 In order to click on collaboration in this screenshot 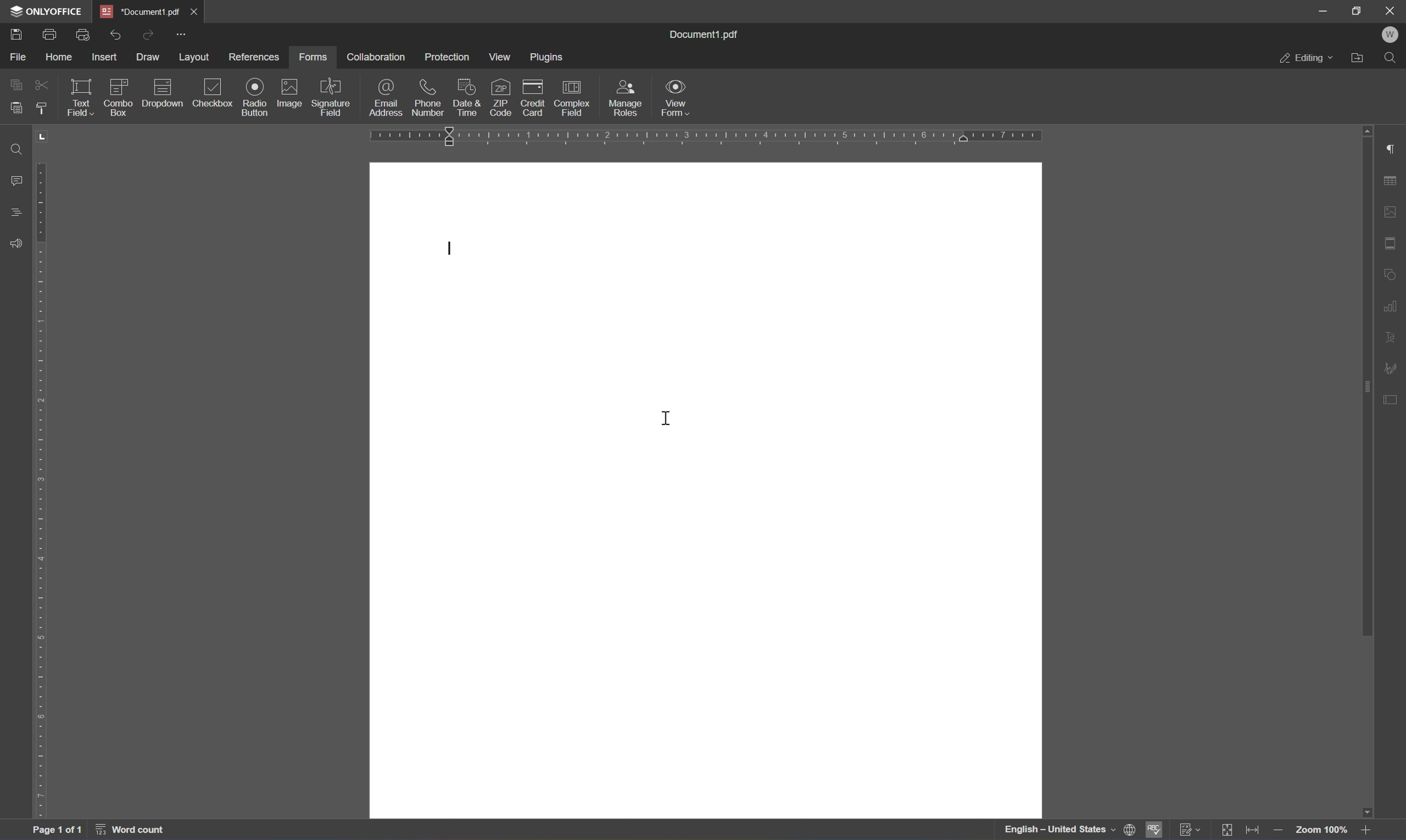, I will do `click(379, 56)`.